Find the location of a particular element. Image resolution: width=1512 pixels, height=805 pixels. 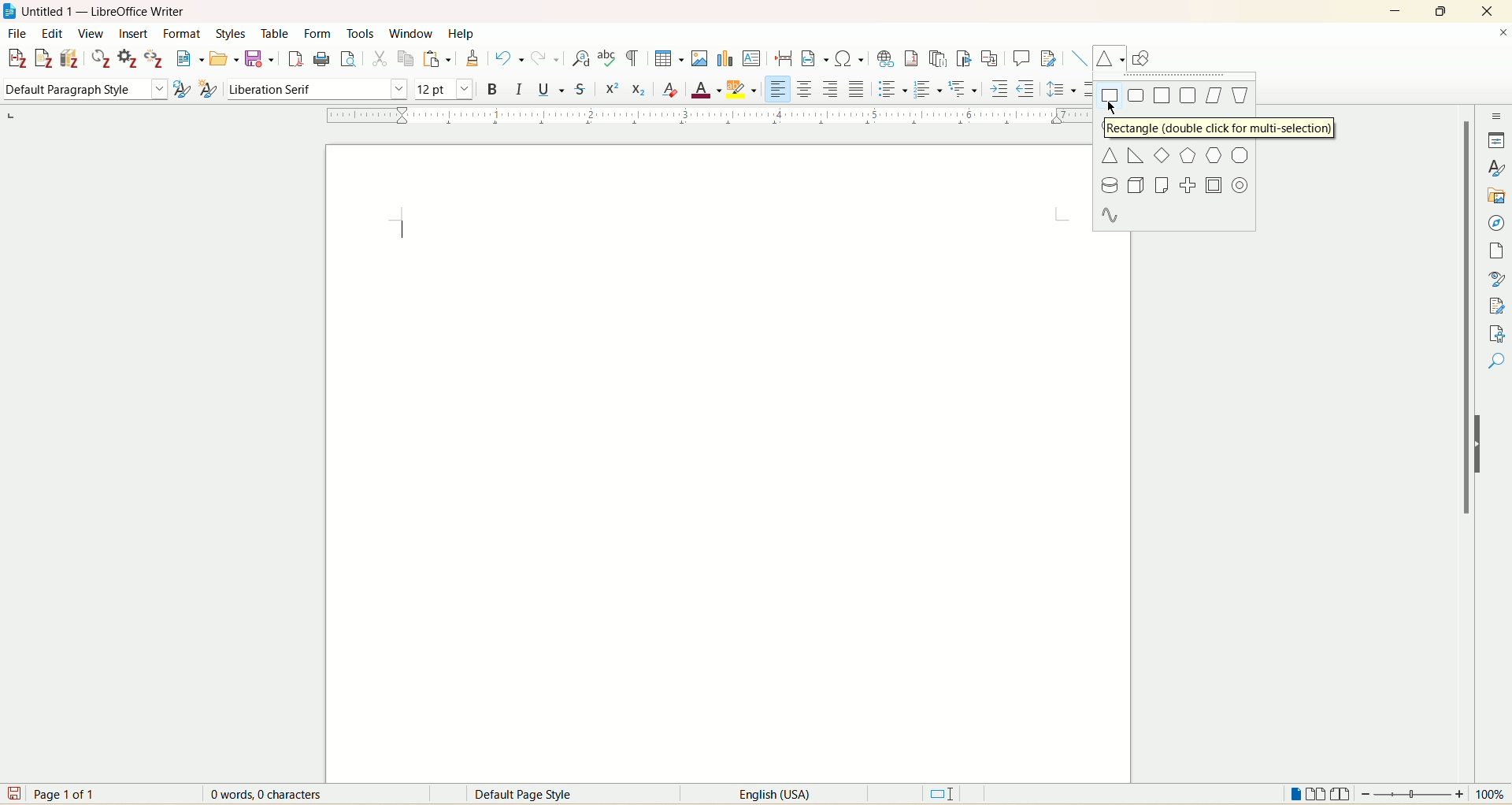

square is located at coordinates (1163, 95).